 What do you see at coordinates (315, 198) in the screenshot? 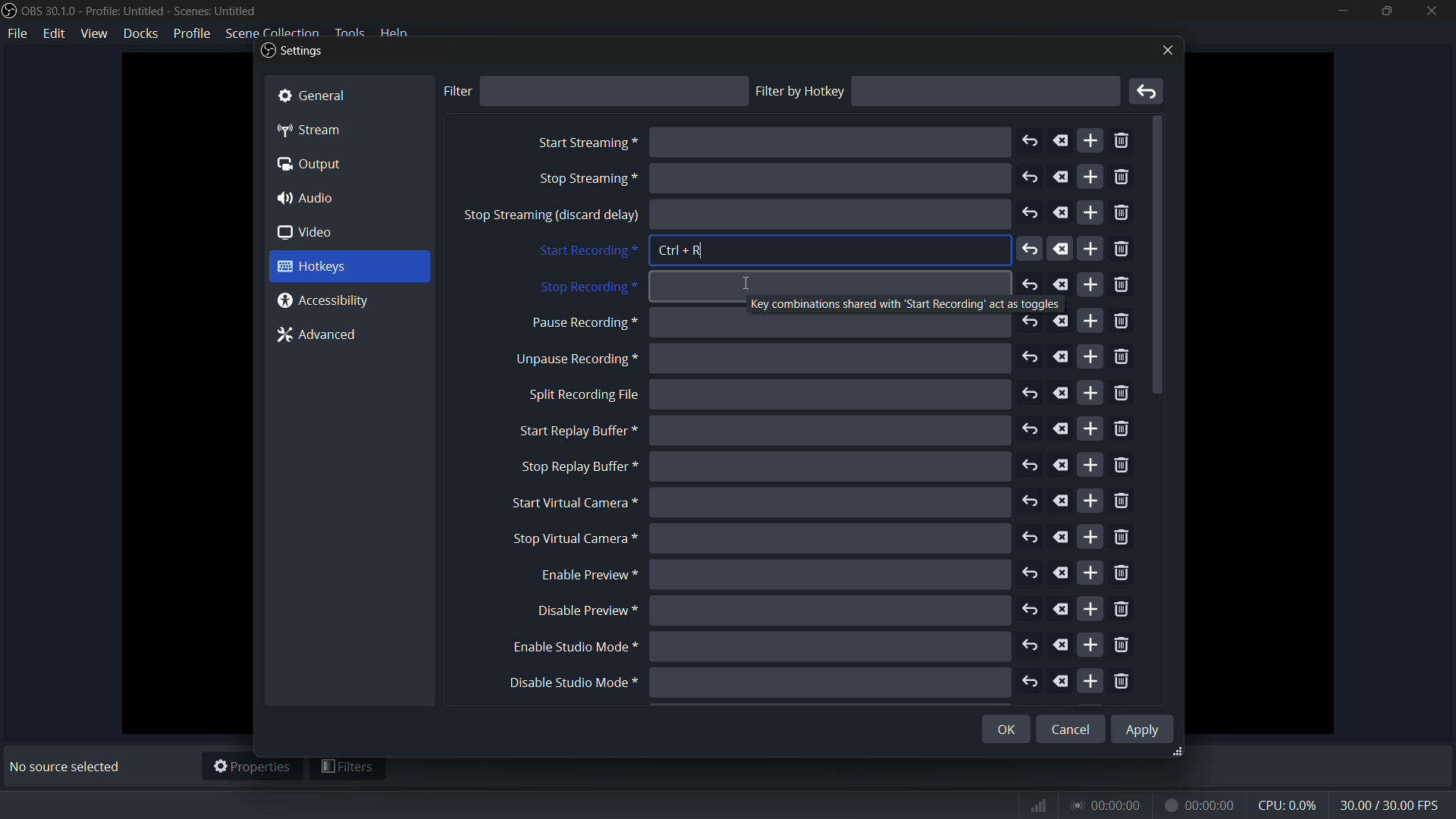
I see `4) Audio` at bounding box center [315, 198].